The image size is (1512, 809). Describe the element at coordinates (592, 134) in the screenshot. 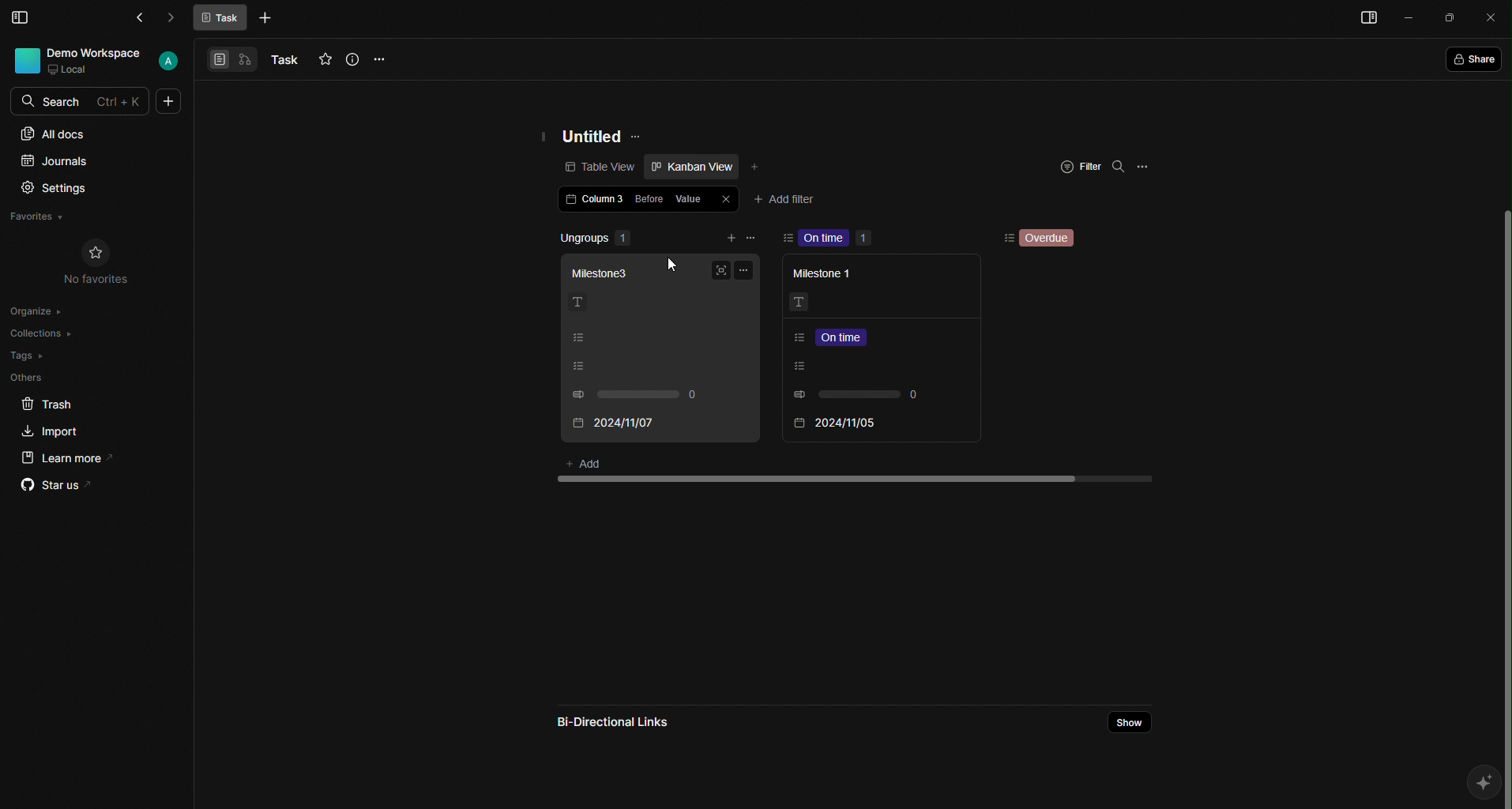

I see `Untitled` at that location.